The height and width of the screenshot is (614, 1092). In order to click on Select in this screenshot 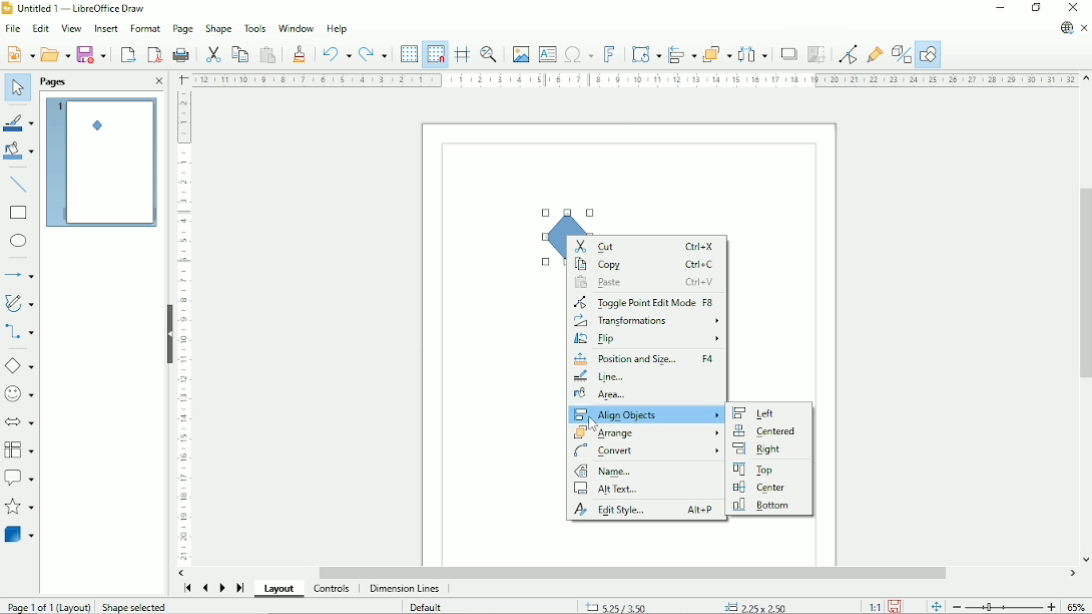, I will do `click(17, 88)`.